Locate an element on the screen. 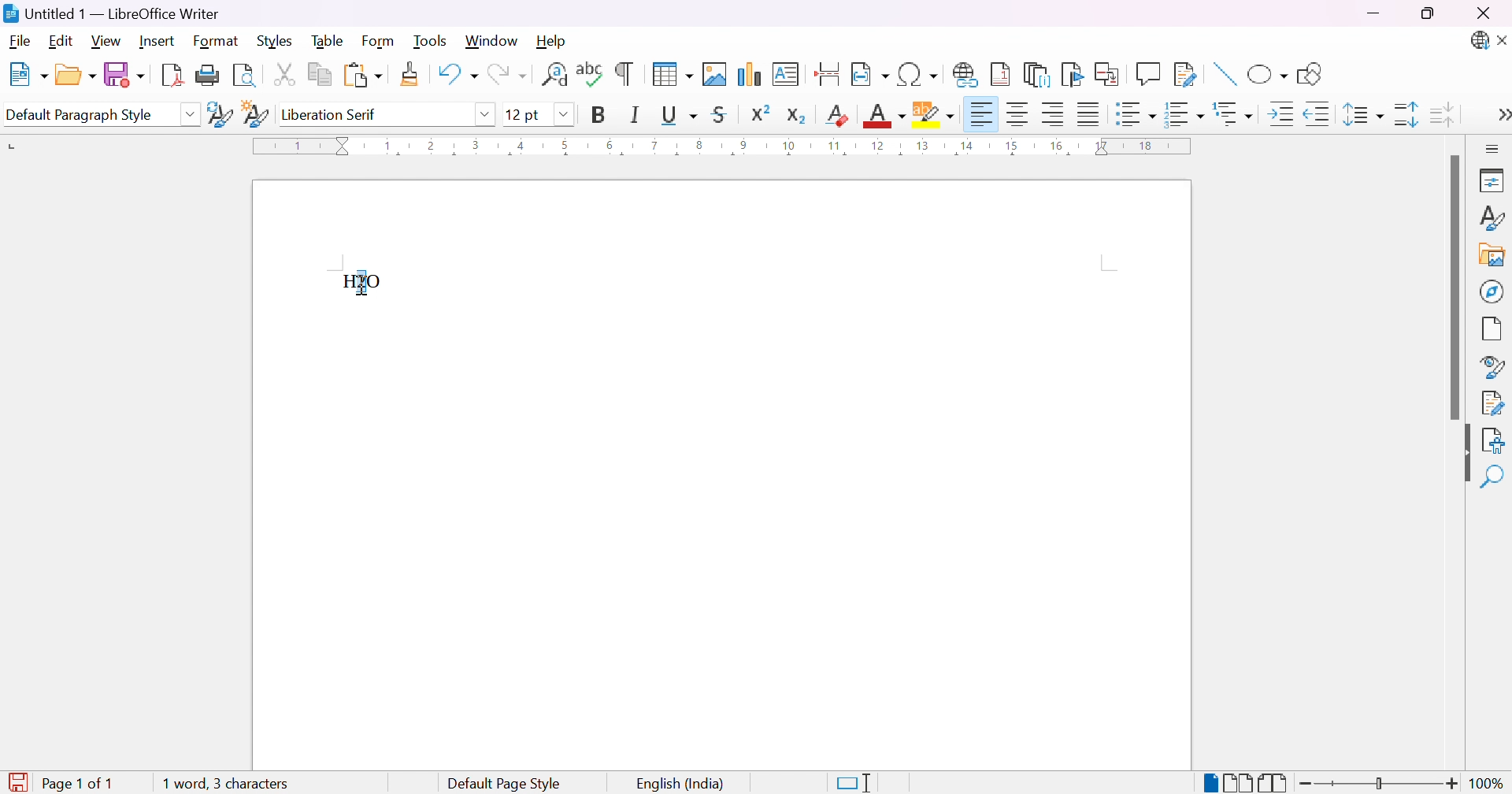 Image resolution: width=1512 pixels, height=794 pixels. Increase indent  is located at coordinates (1284, 117).